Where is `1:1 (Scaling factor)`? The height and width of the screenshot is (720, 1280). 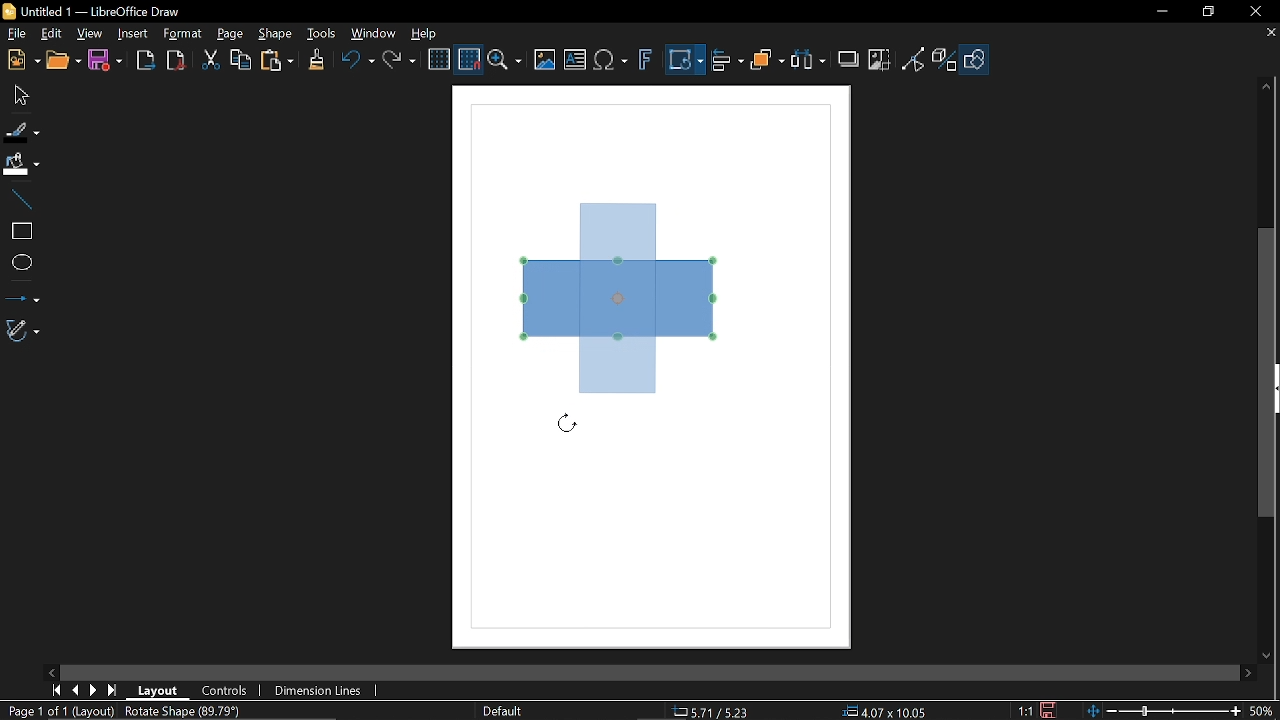 1:1 (Scaling factor) is located at coordinates (1025, 711).